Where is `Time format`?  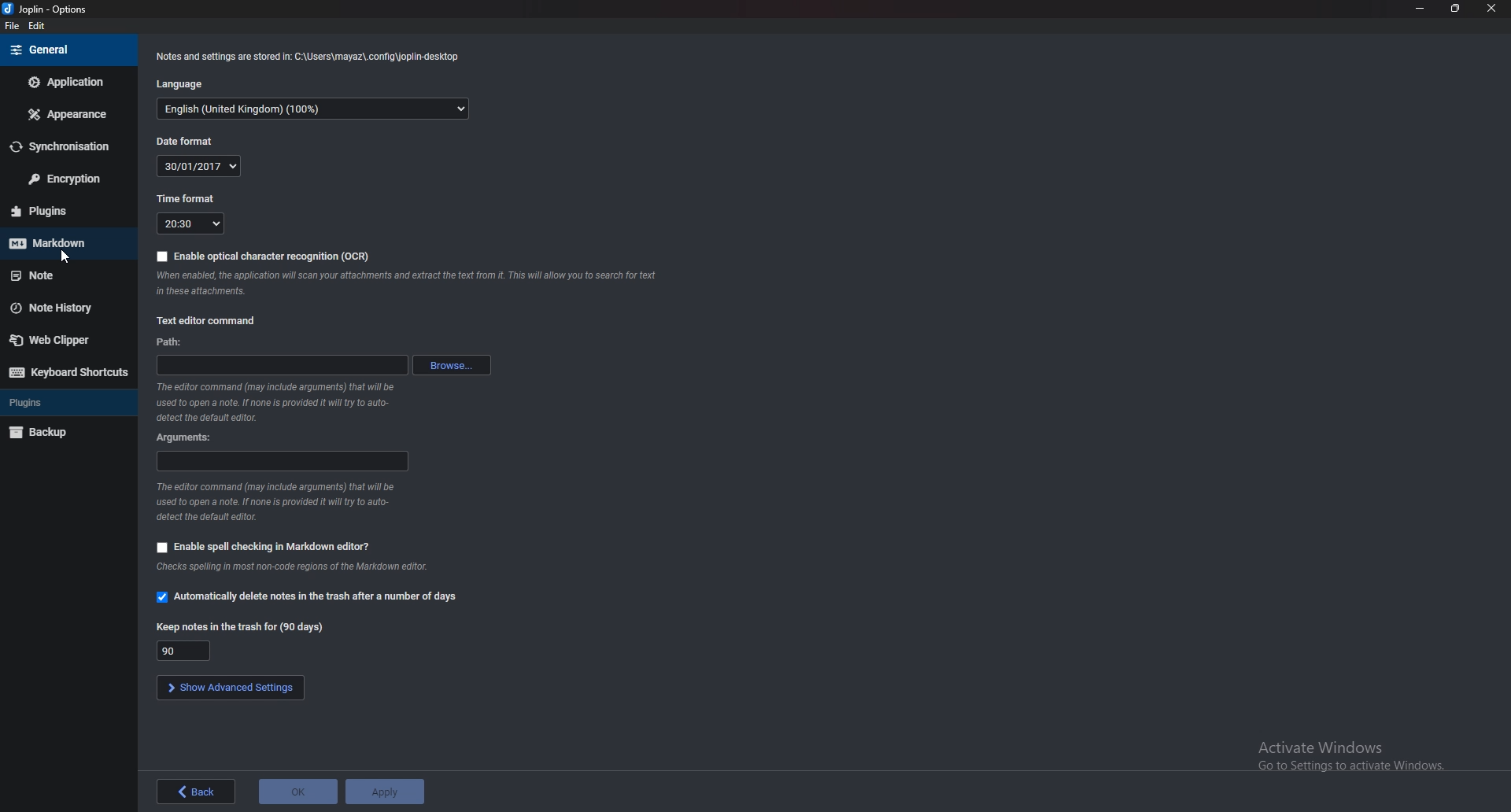
Time format is located at coordinates (192, 223).